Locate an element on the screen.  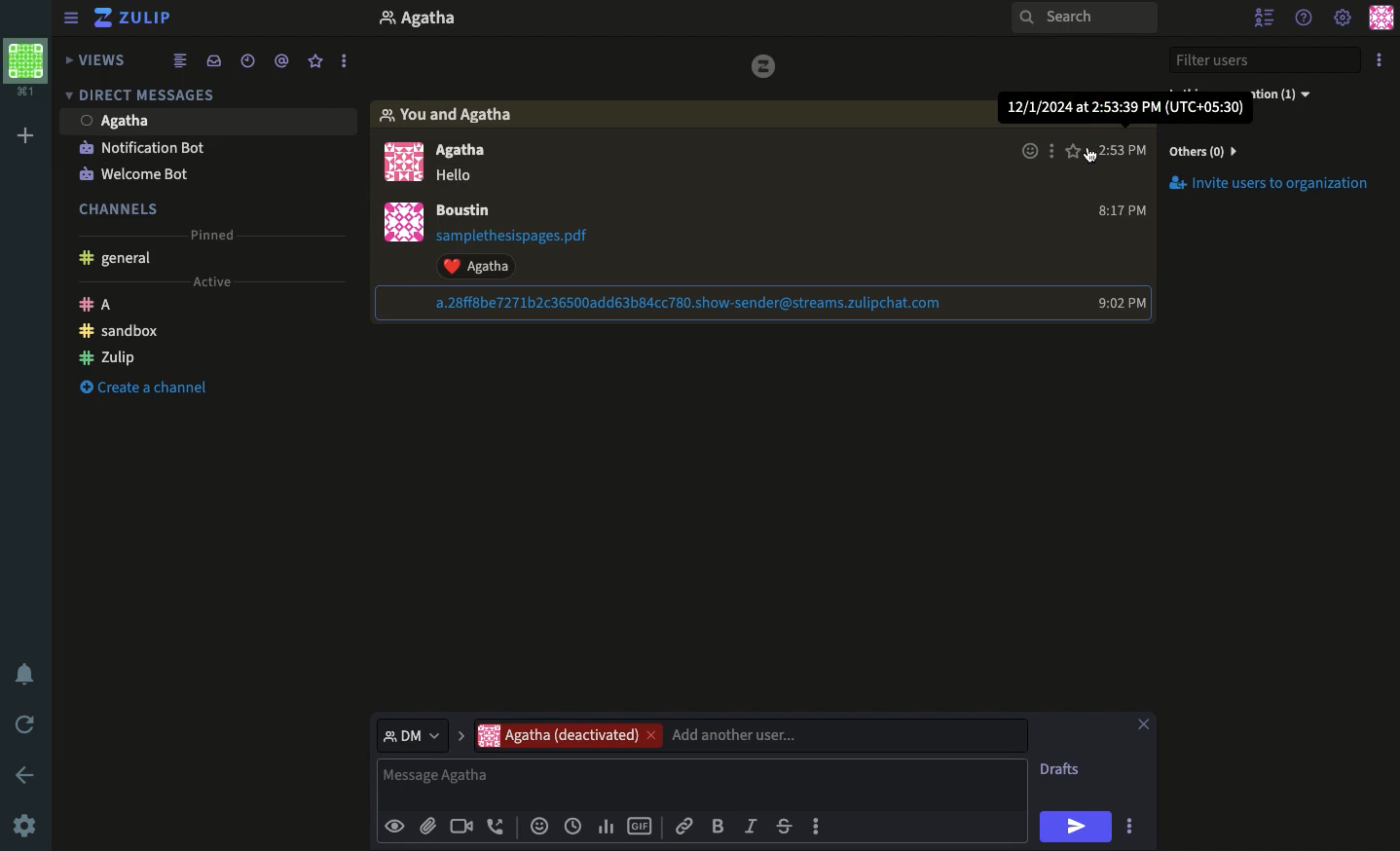
You and user is located at coordinates (453, 114).